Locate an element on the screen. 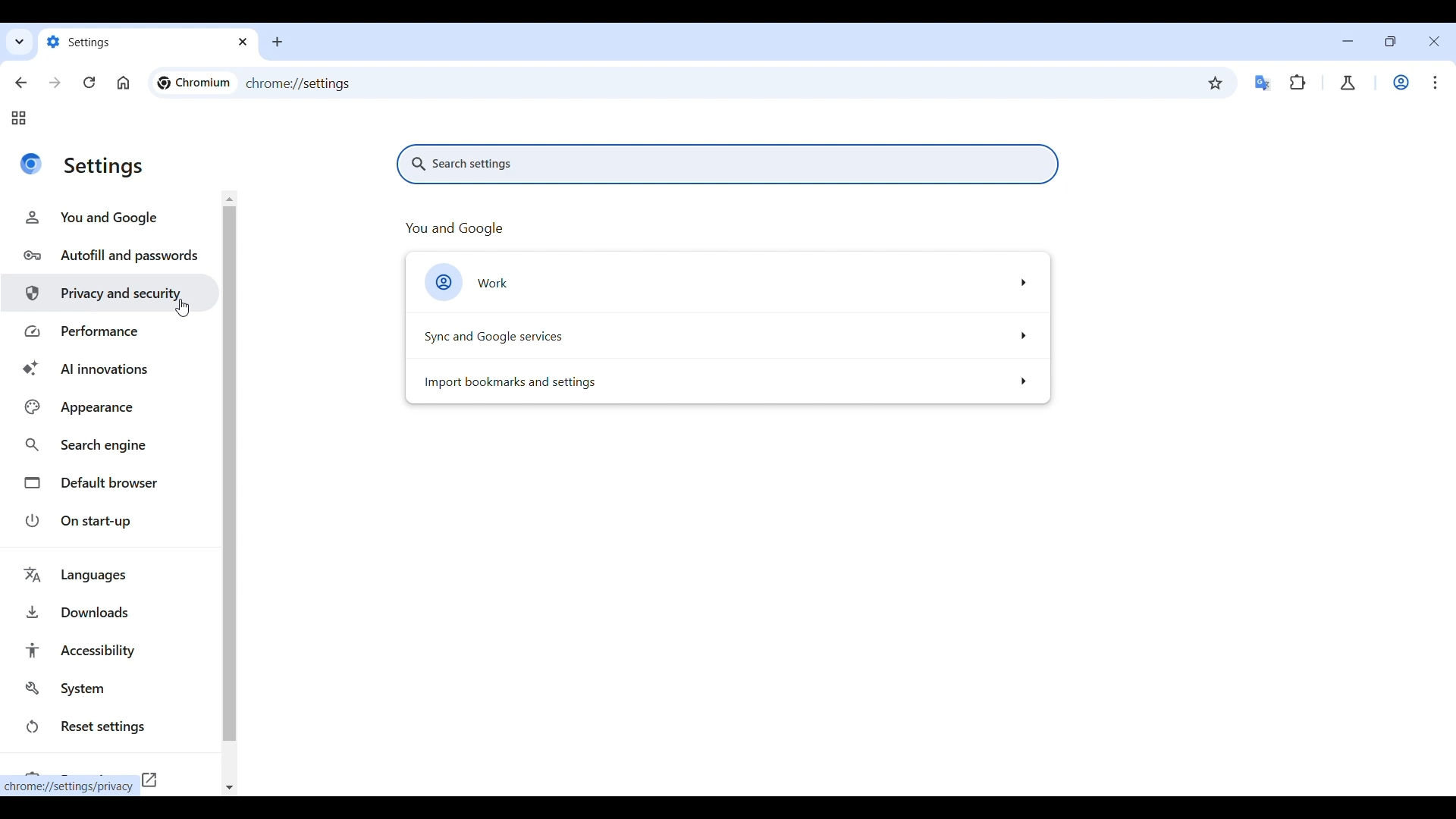 This screenshot has width=1456, height=819. Bookmark this tab is located at coordinates (1216, 83).